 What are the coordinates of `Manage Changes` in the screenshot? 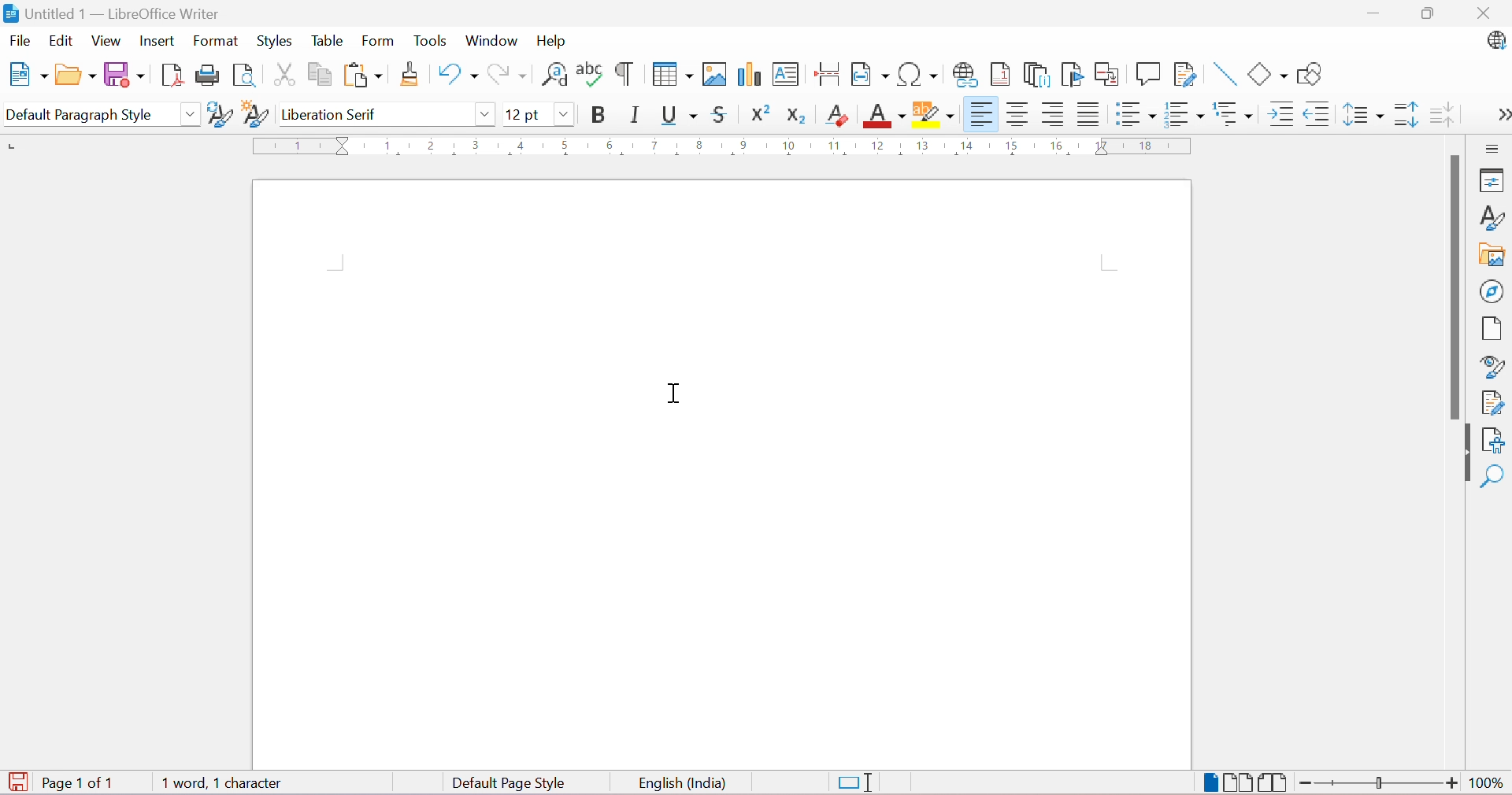 It's located at (1492, 403).